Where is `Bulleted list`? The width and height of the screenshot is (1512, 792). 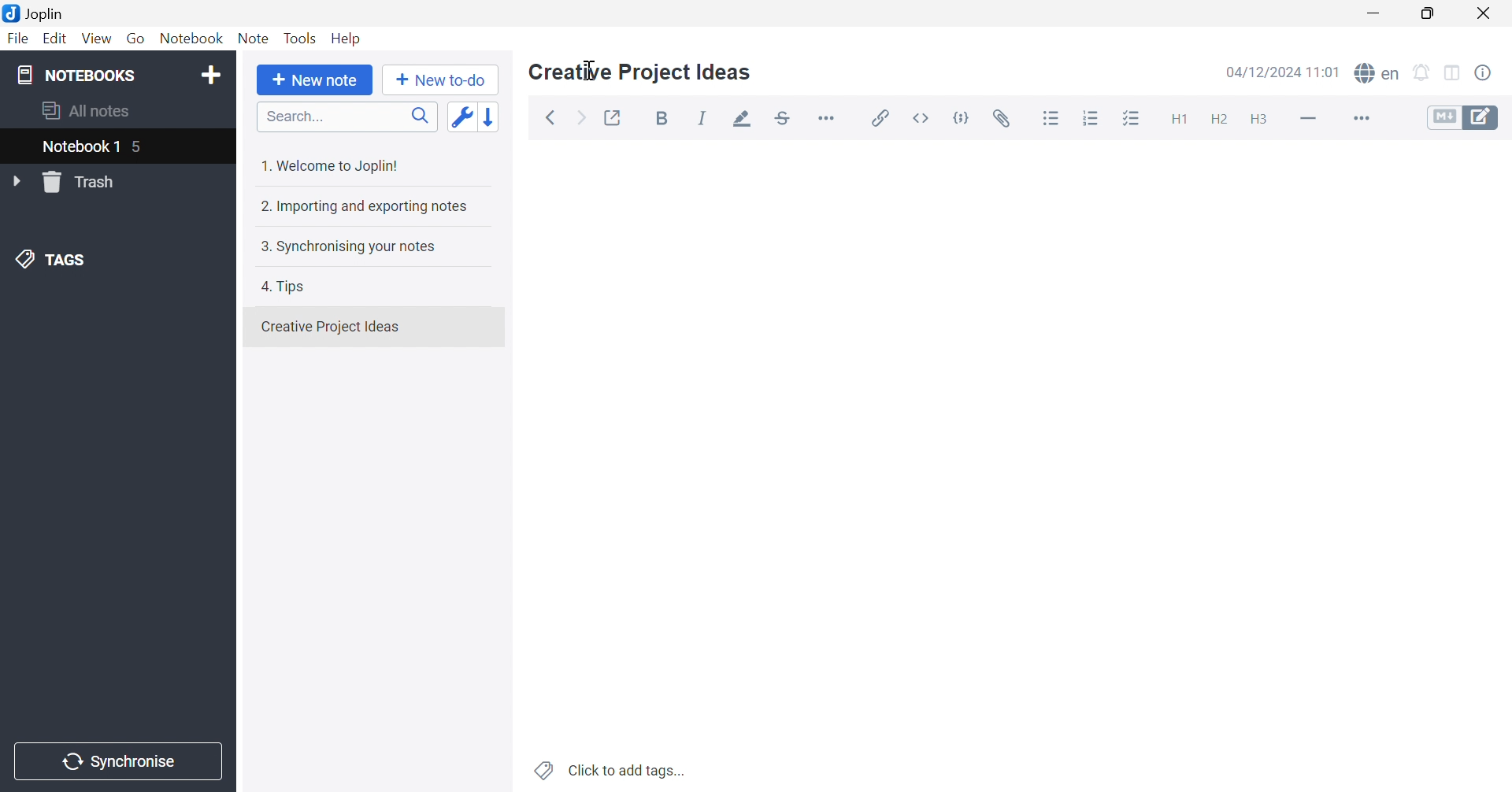
Bulleted list is located at coordinates (1051, 119).